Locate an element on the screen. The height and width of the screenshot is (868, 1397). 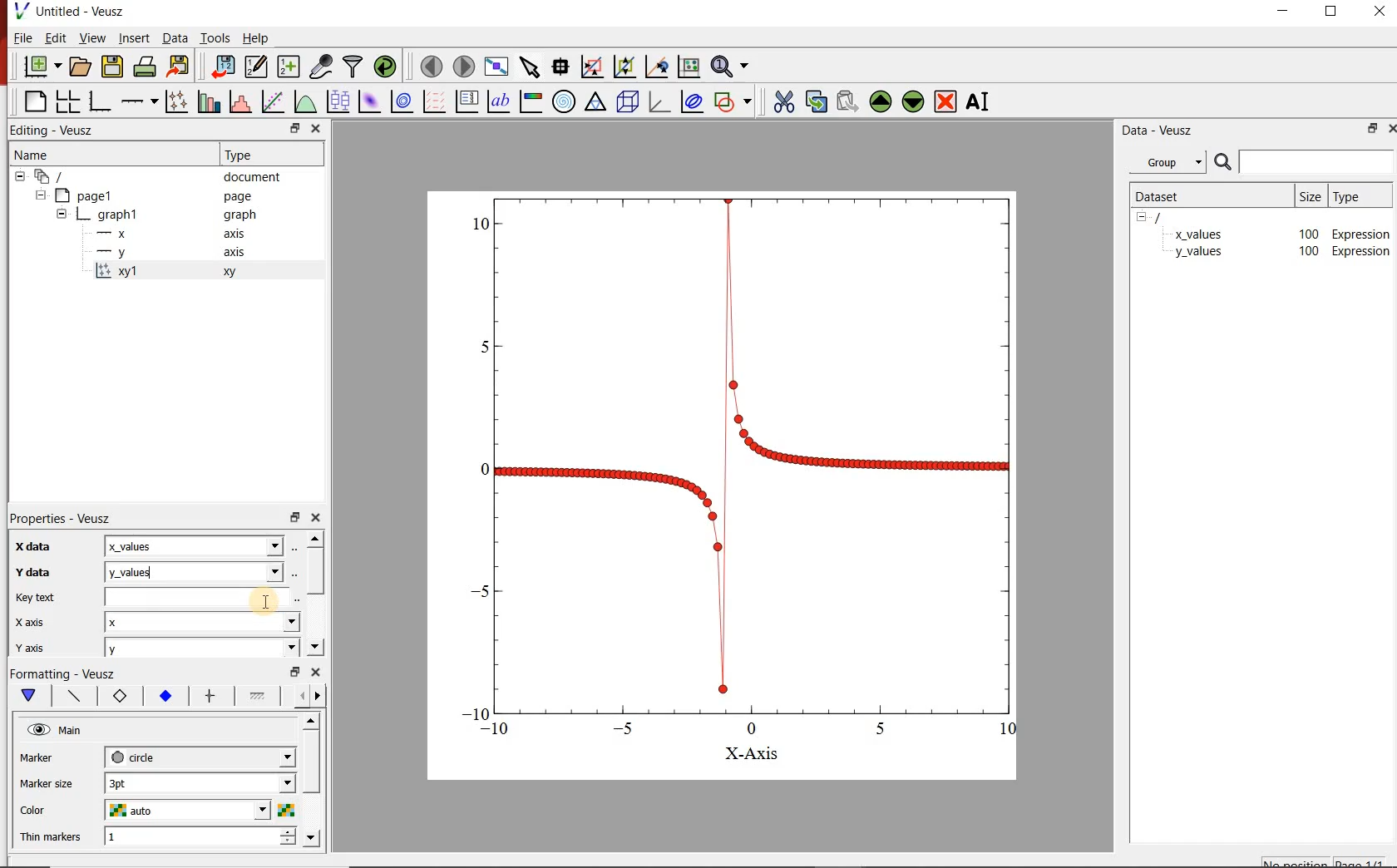
minimize is located at coordinates (1282, 13).